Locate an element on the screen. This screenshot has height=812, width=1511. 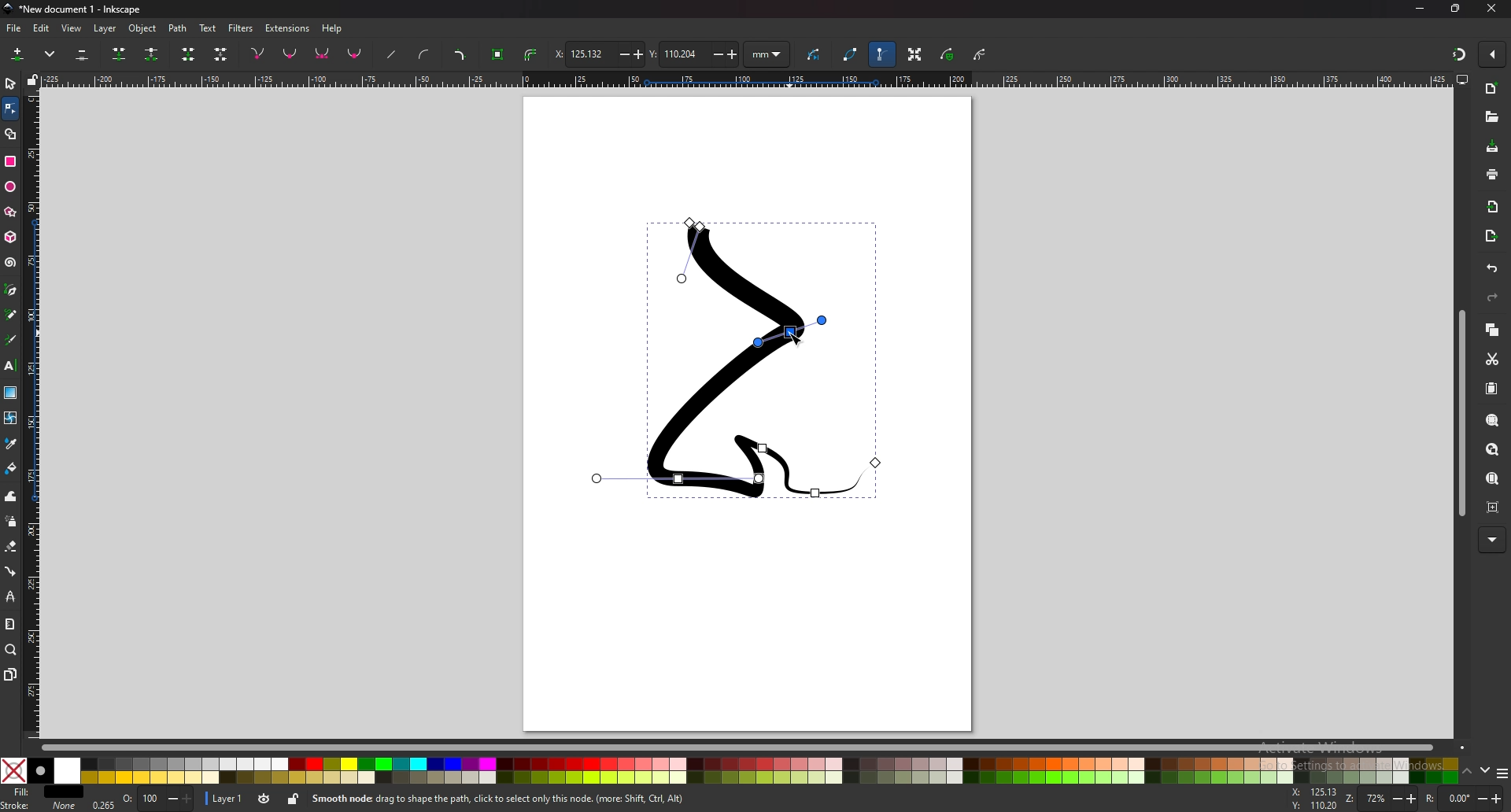
print is located at coordinates (1492, 173).